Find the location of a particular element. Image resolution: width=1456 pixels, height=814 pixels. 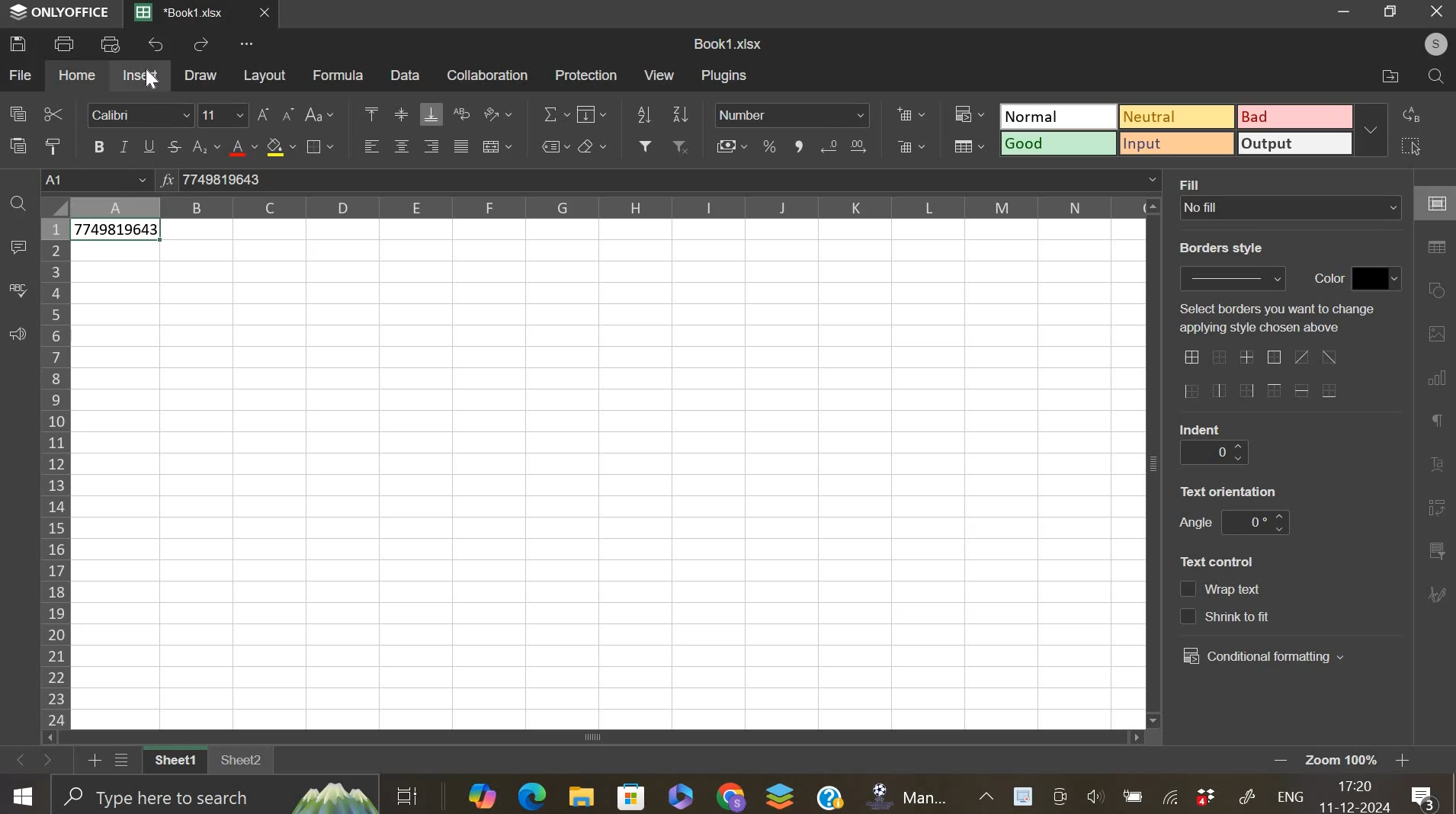

cut is located at coordinates (53, 116).